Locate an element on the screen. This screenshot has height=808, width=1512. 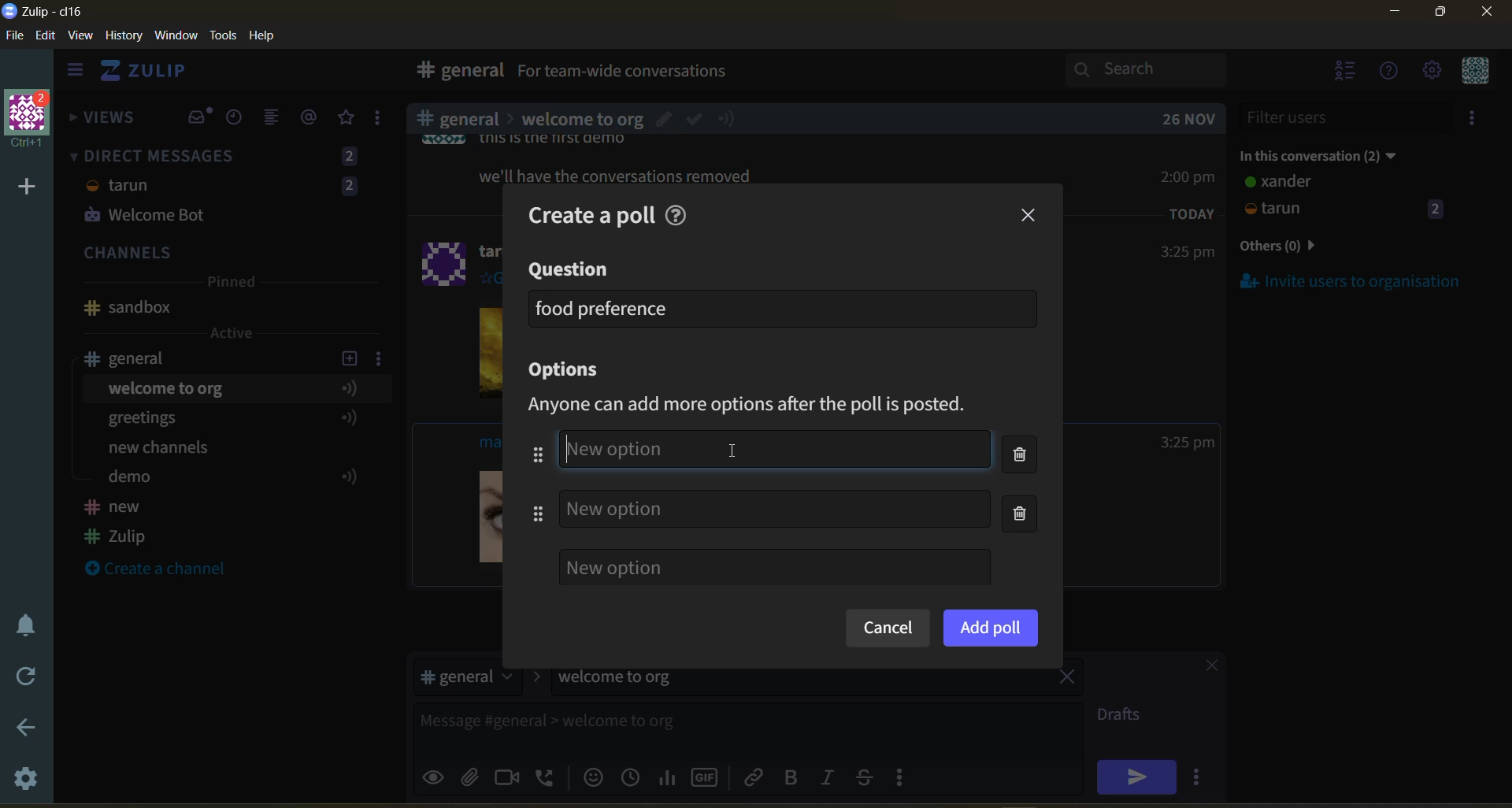
pinned is located at coordinates (230, 284).